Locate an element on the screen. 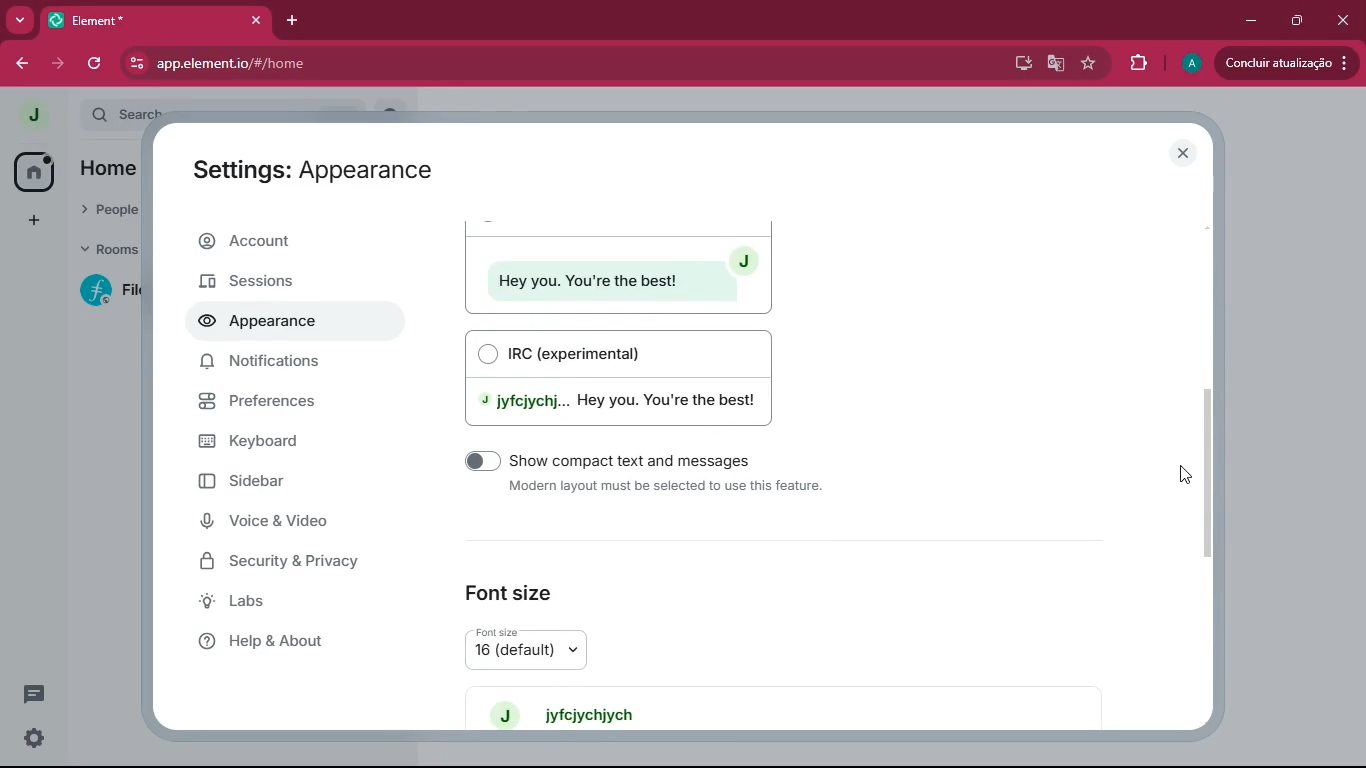 Image resolution: width=1366 pixels, height=768 pixels. add tab is located at coordinates (295, 16).